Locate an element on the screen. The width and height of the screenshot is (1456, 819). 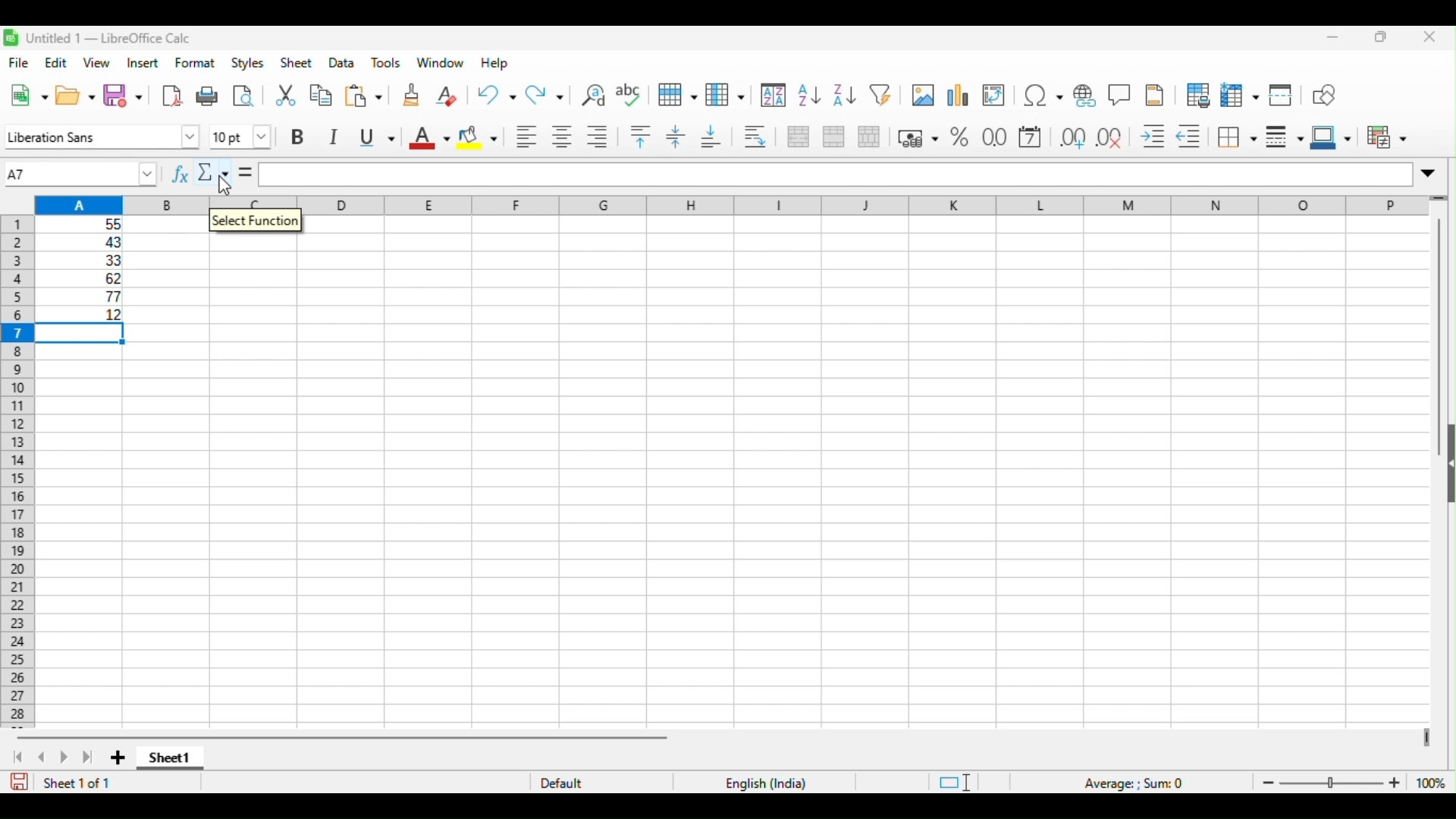
column is located at coordinates (725, 96).